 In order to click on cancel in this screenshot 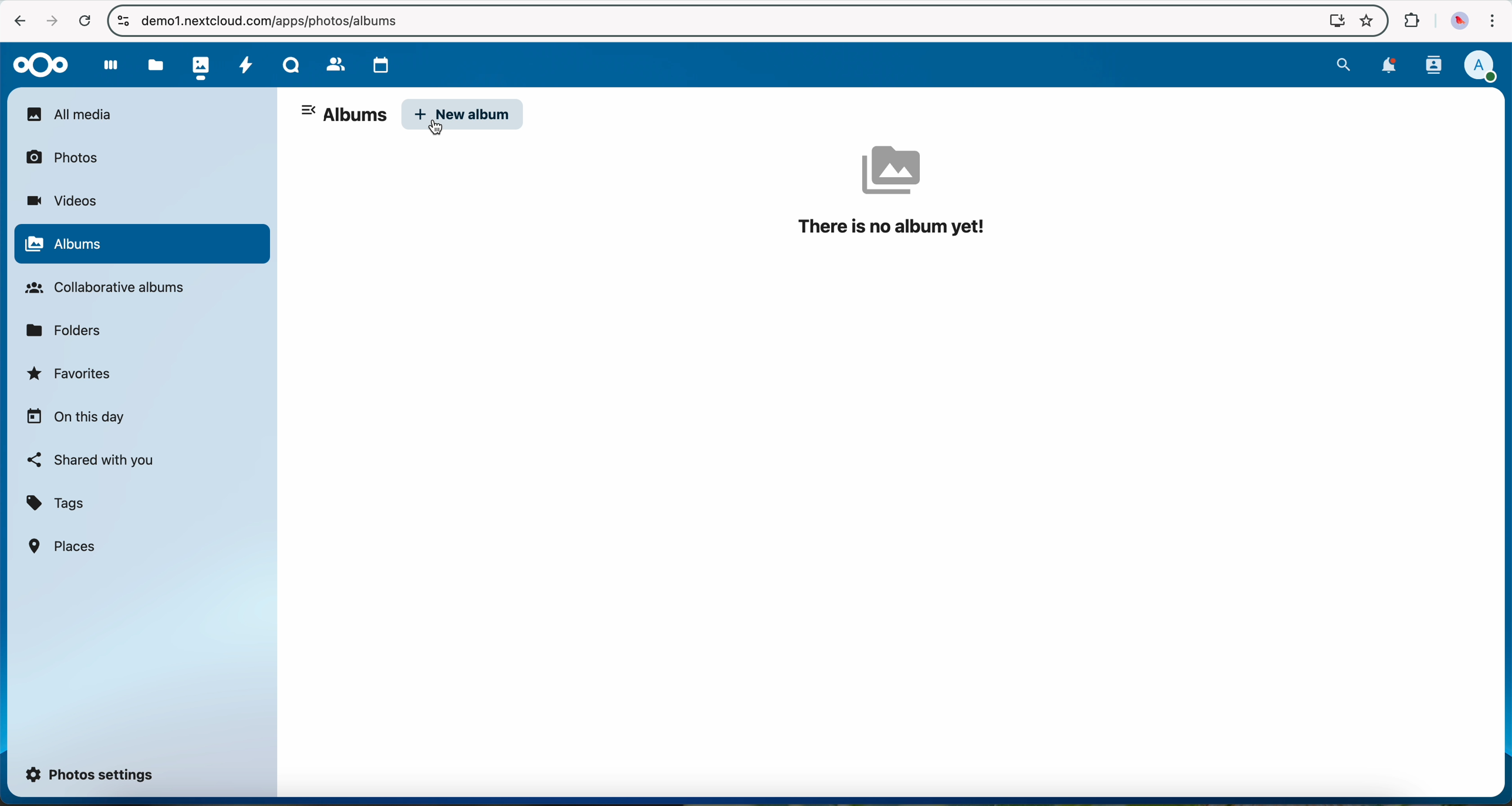, I will do `click(85, 22)`.